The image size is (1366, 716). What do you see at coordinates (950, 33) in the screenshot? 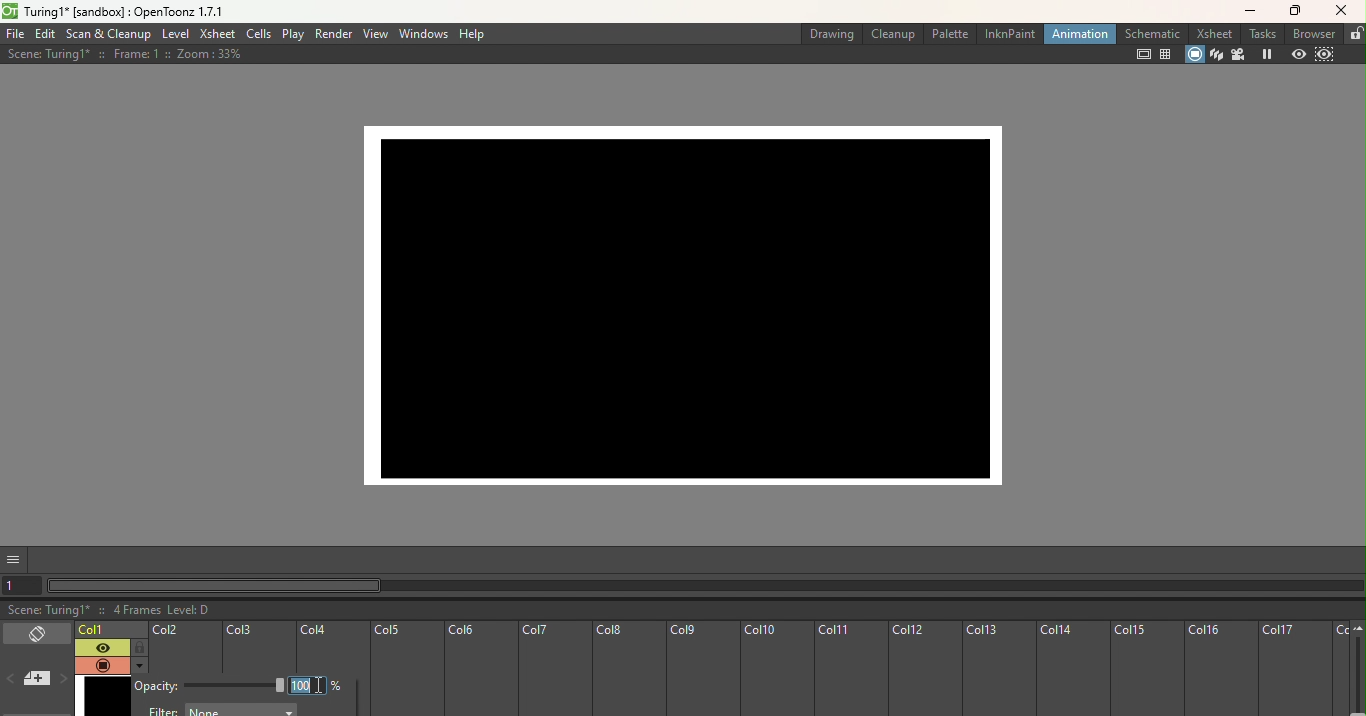
I see `Palette` at bounding box center [950, 33].